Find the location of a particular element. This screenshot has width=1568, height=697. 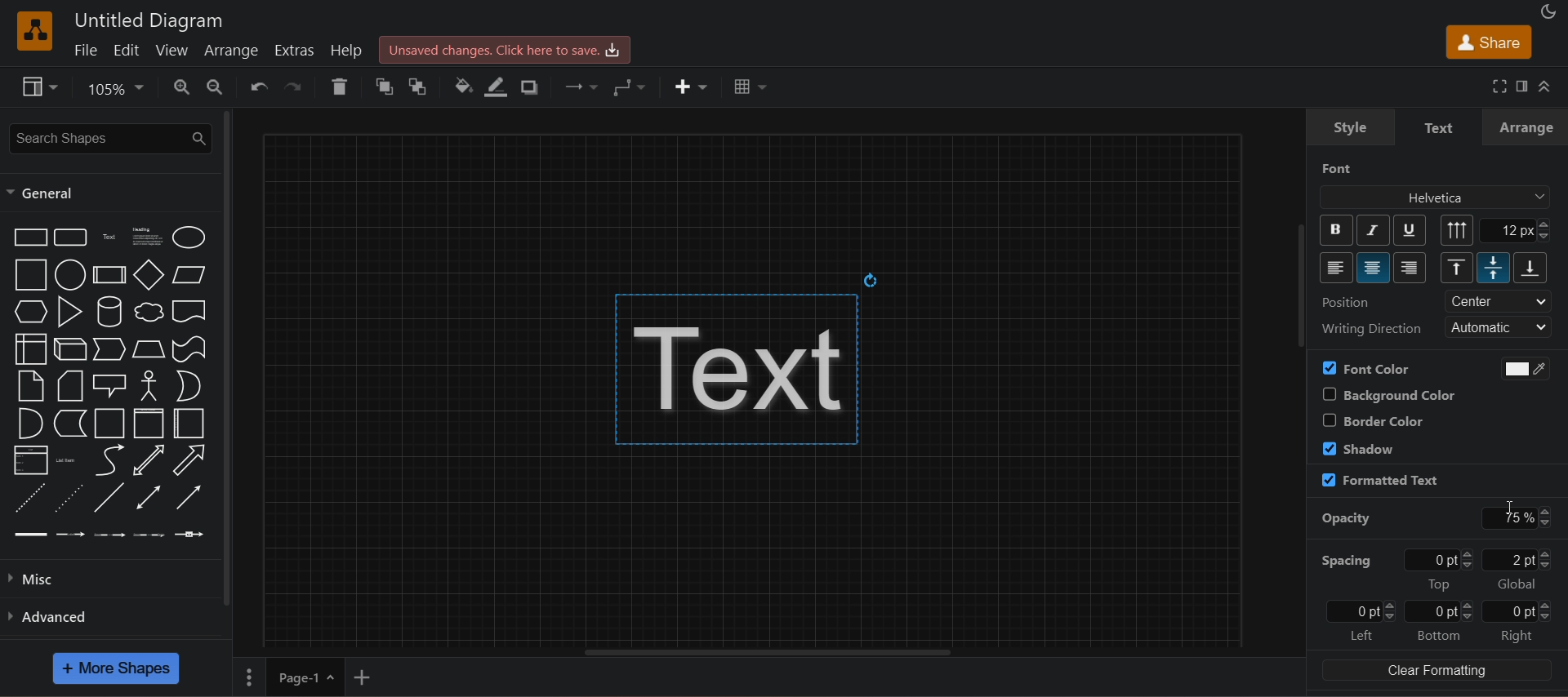

tape is located at coordinates (190, 349).